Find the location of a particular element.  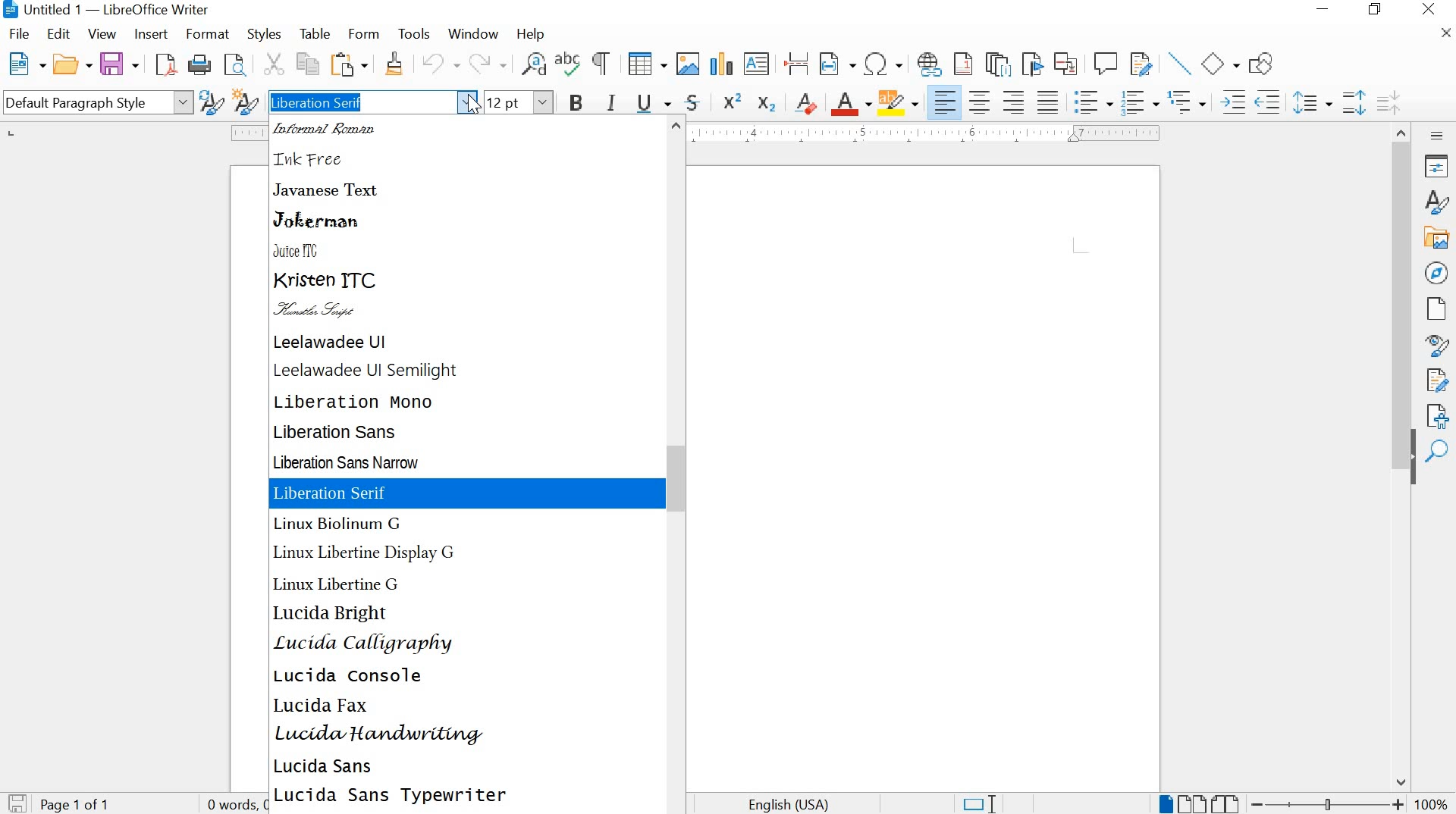

STANDARD SELECTION is located at coordinates (980, 803).